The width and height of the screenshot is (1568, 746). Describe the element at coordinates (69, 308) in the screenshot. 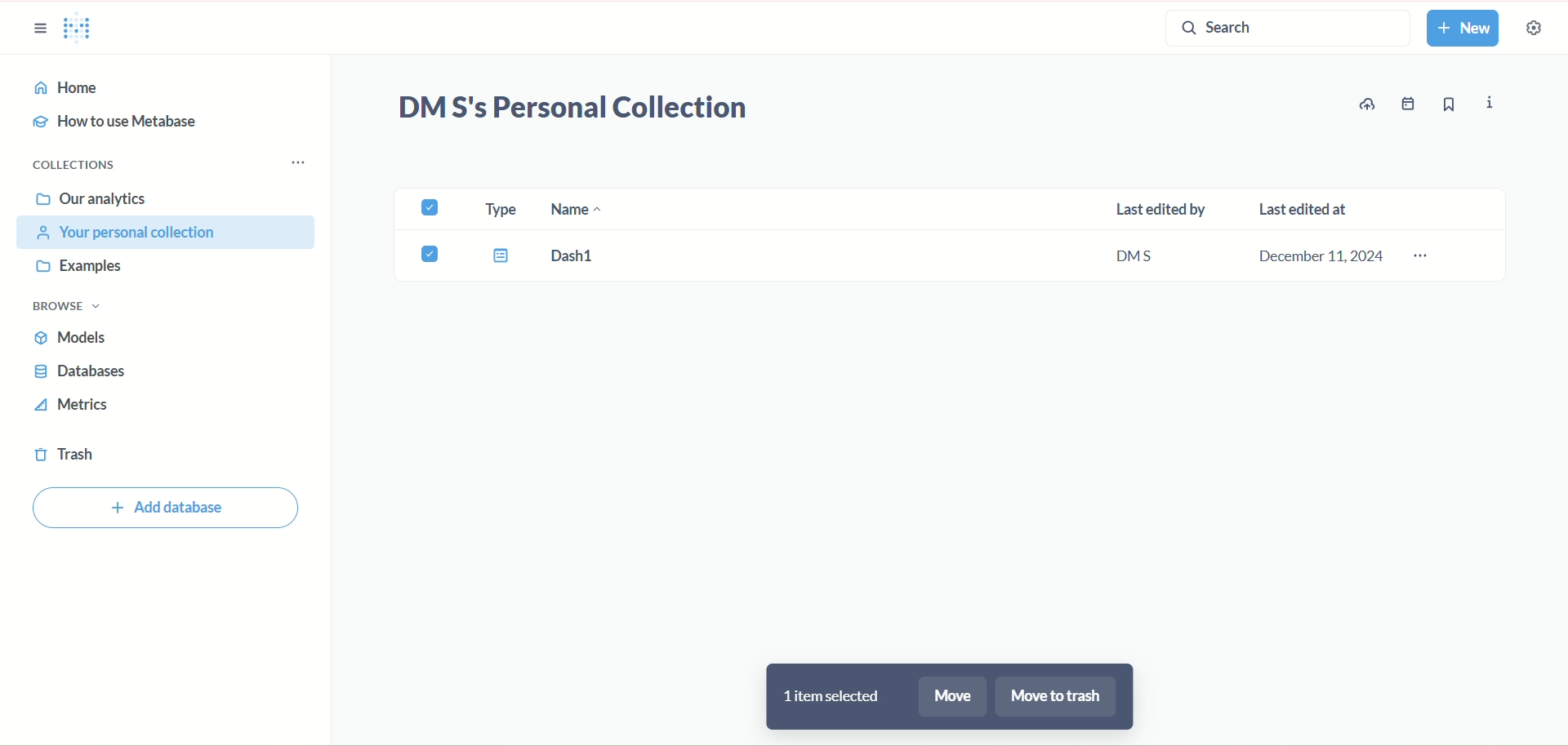

I see `browse` at that location.